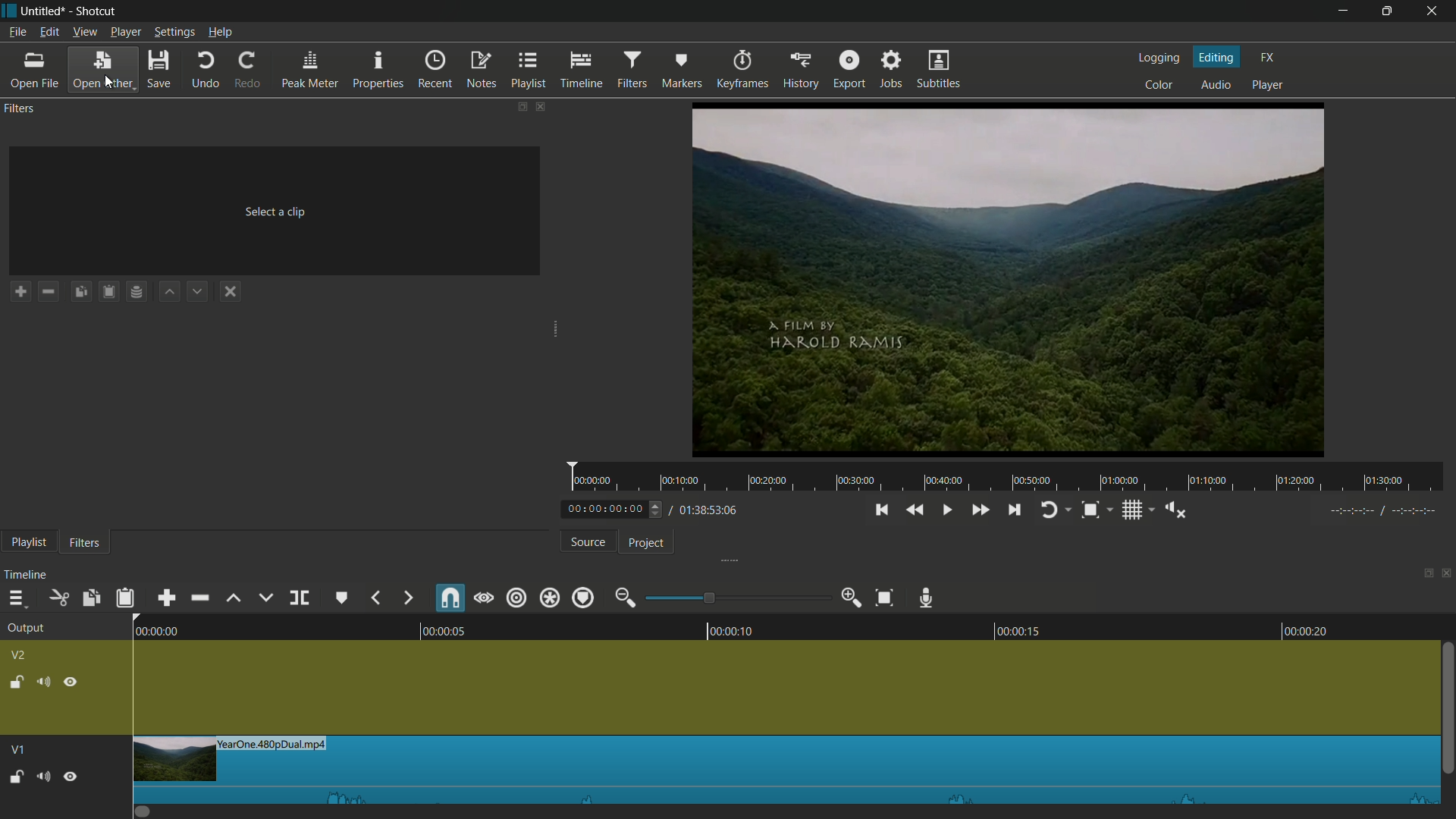 The height and width of the screenshot is (819, 1456). I want to click on project, so click(641, 541).